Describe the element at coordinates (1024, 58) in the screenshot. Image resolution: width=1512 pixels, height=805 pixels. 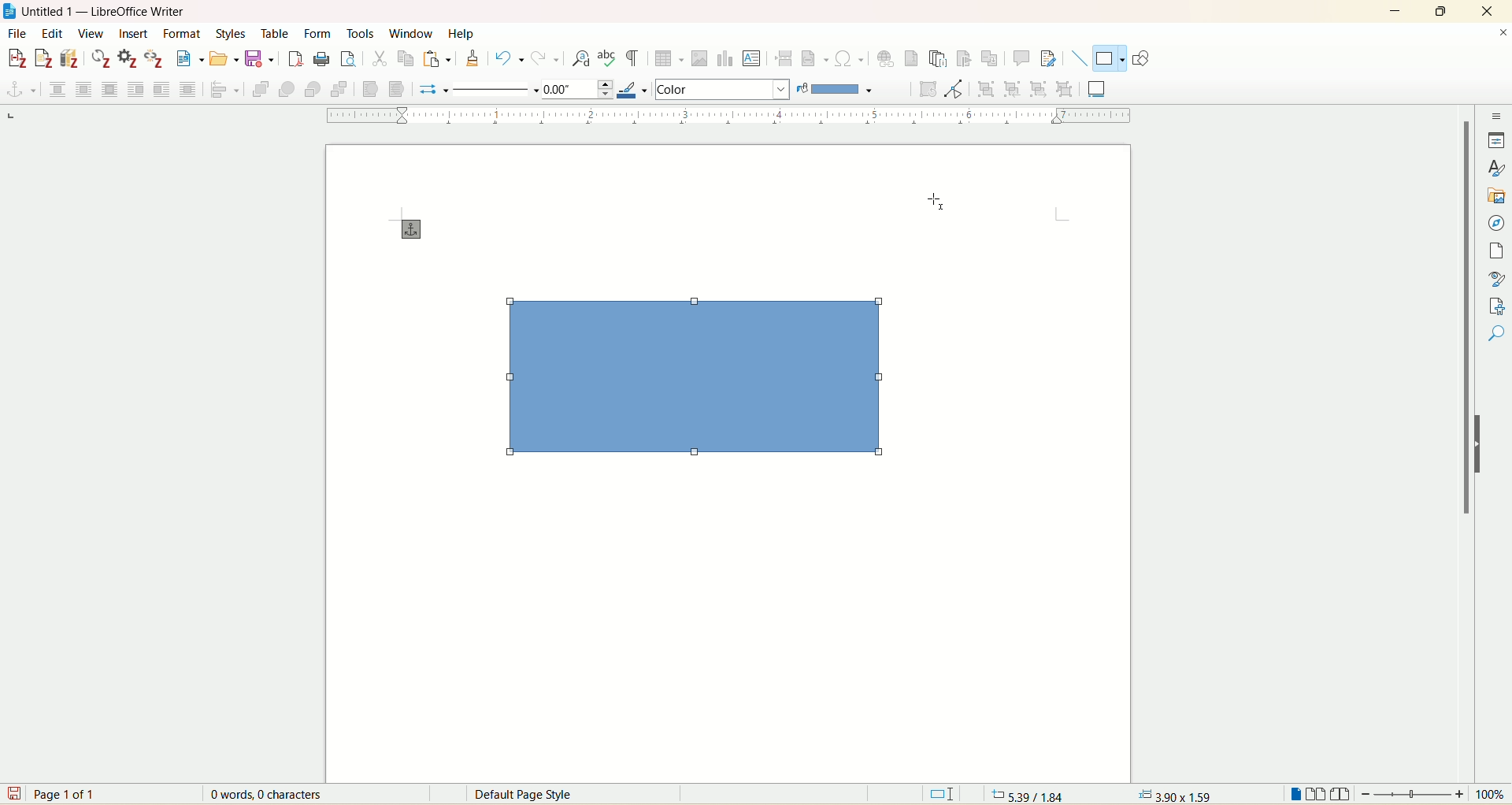
I see `insert comment` at that location.